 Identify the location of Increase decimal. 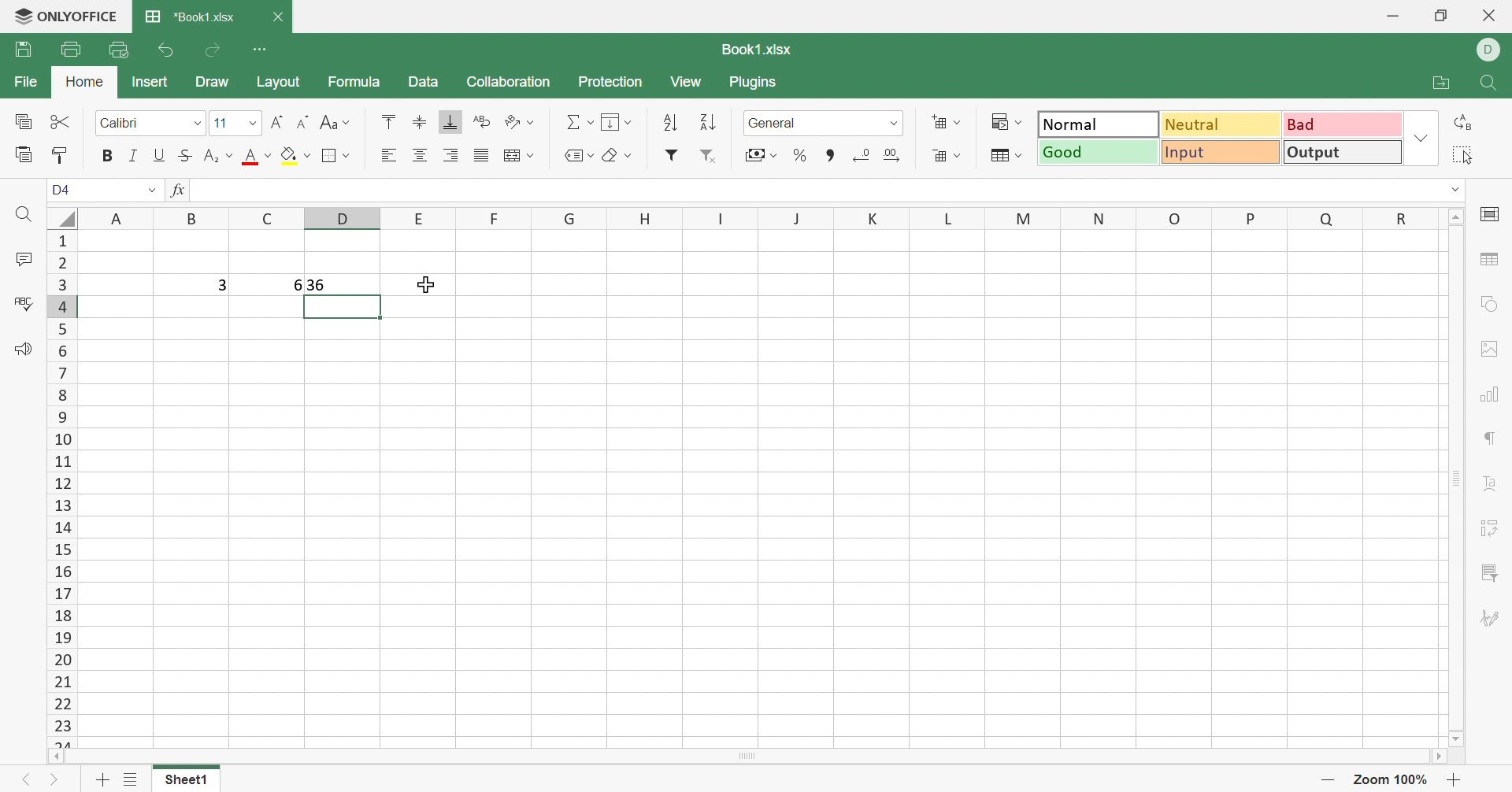
(892, 156).